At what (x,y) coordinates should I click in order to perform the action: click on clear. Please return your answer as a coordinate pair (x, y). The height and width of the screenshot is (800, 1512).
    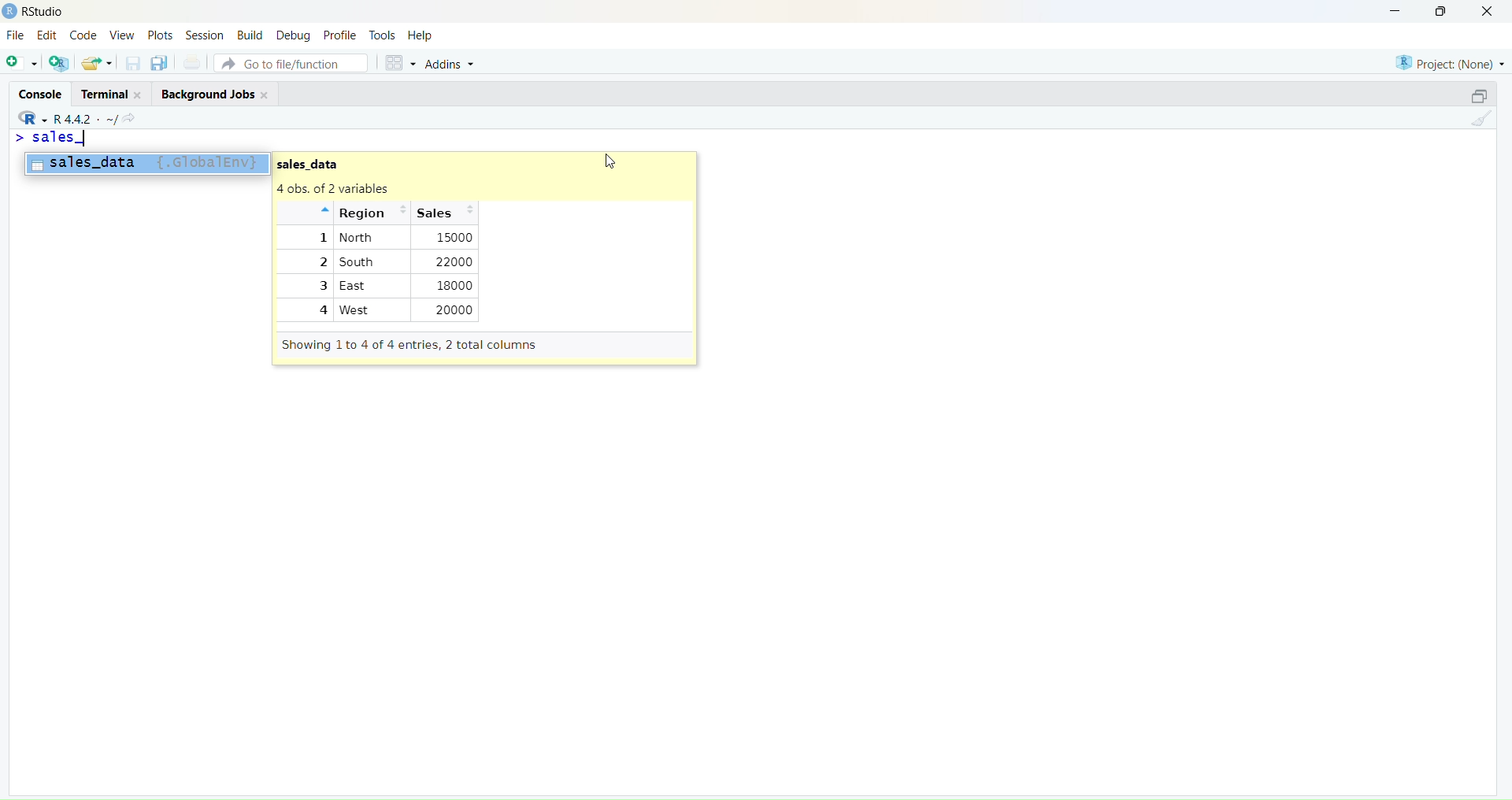
    Looking at the image, I should click on (1485, 122).